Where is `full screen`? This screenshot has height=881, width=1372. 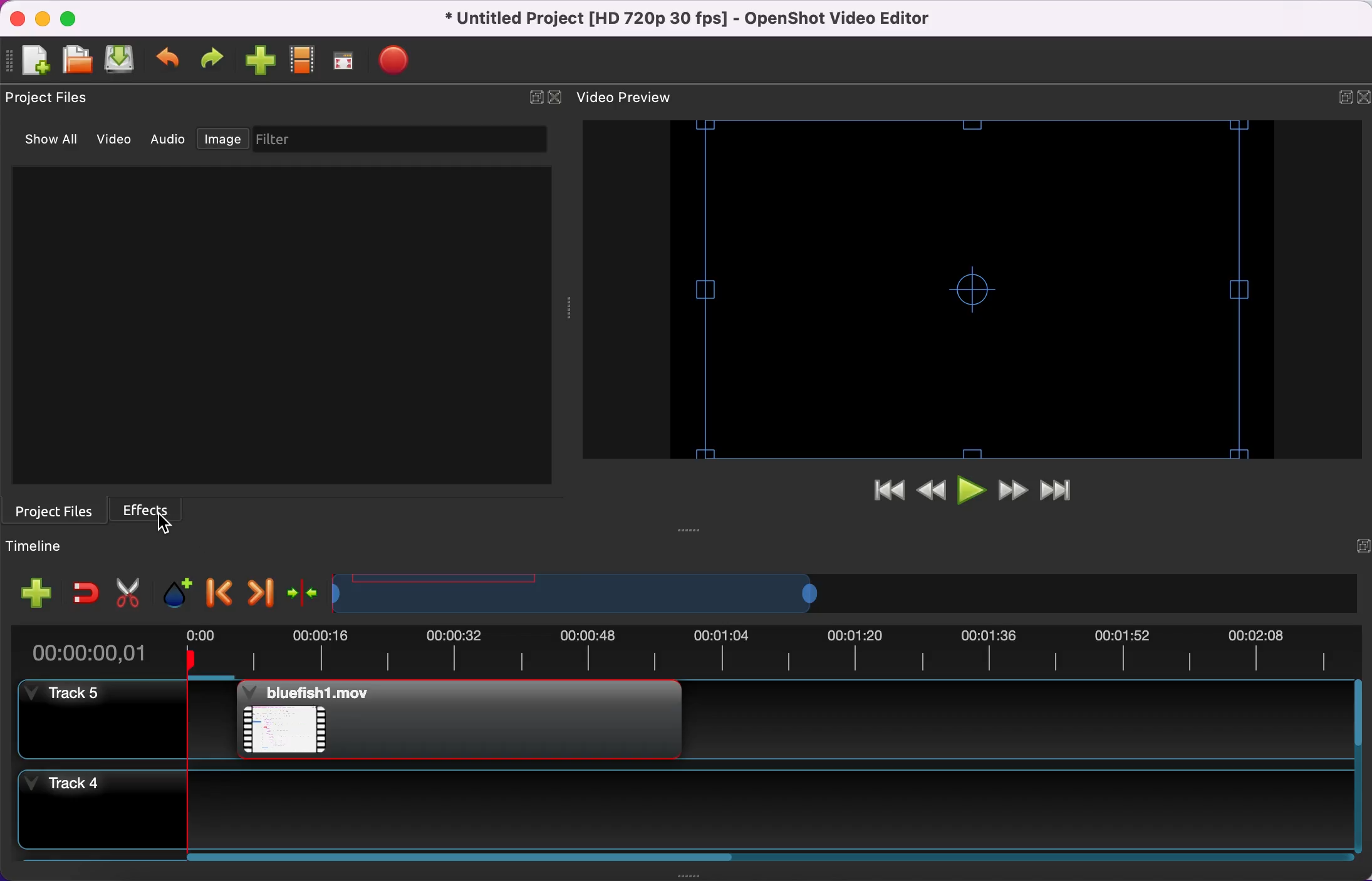
full screen is located at coordinates (345, 63).